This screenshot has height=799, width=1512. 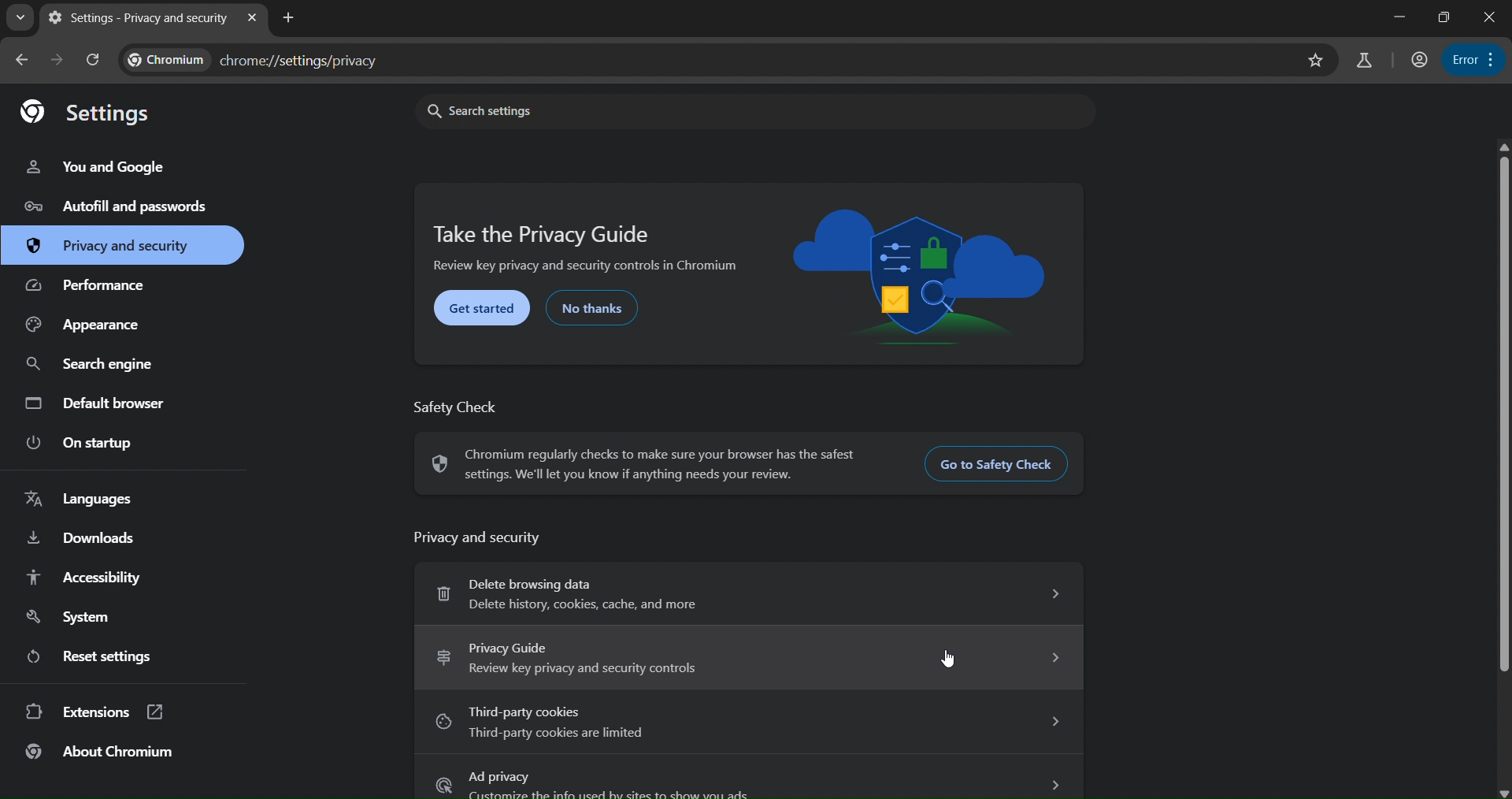 I want to click on get started, so click(x=483, y=310).